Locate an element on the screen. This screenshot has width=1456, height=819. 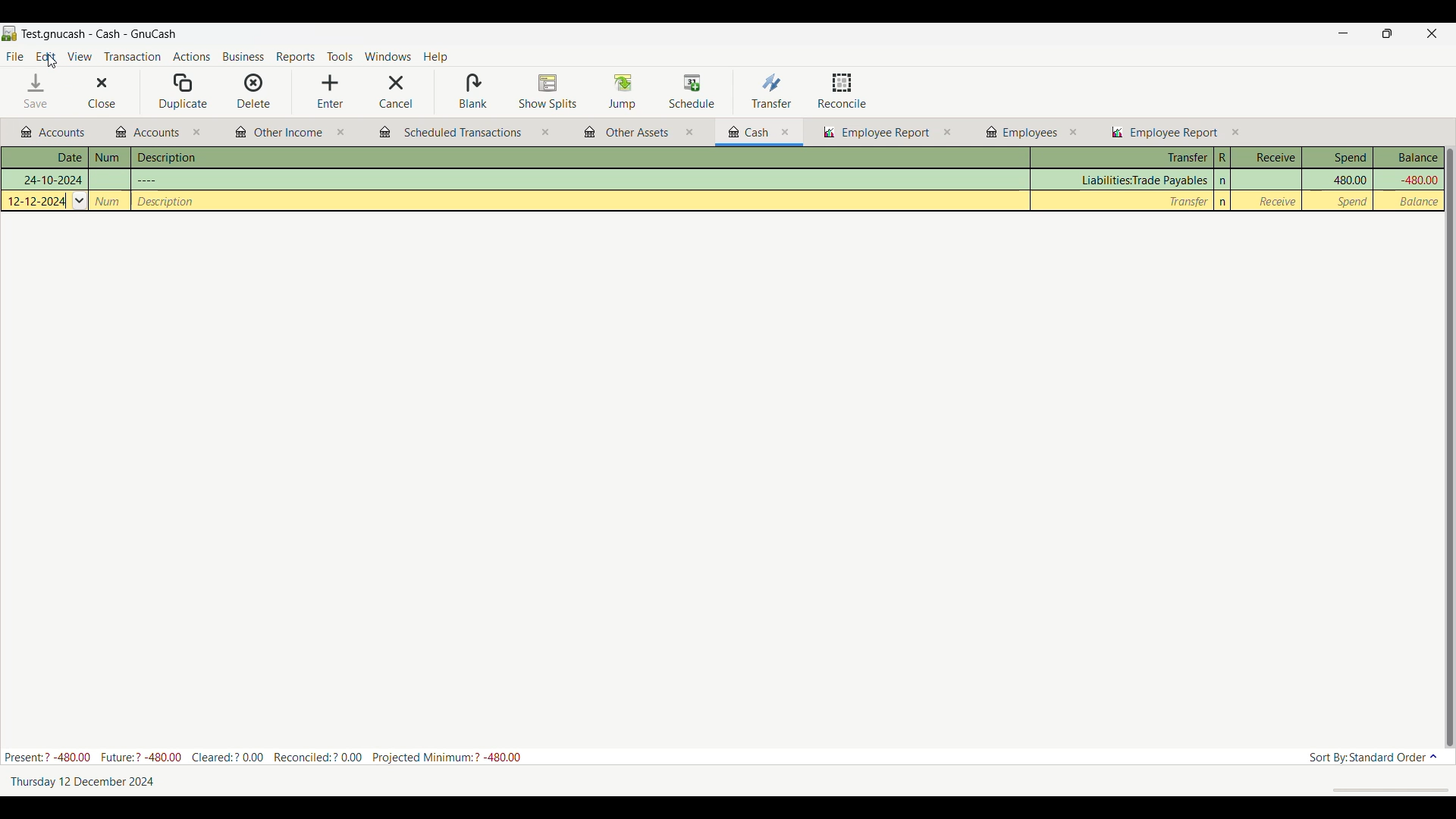
close is located at coordinates (340, 132).